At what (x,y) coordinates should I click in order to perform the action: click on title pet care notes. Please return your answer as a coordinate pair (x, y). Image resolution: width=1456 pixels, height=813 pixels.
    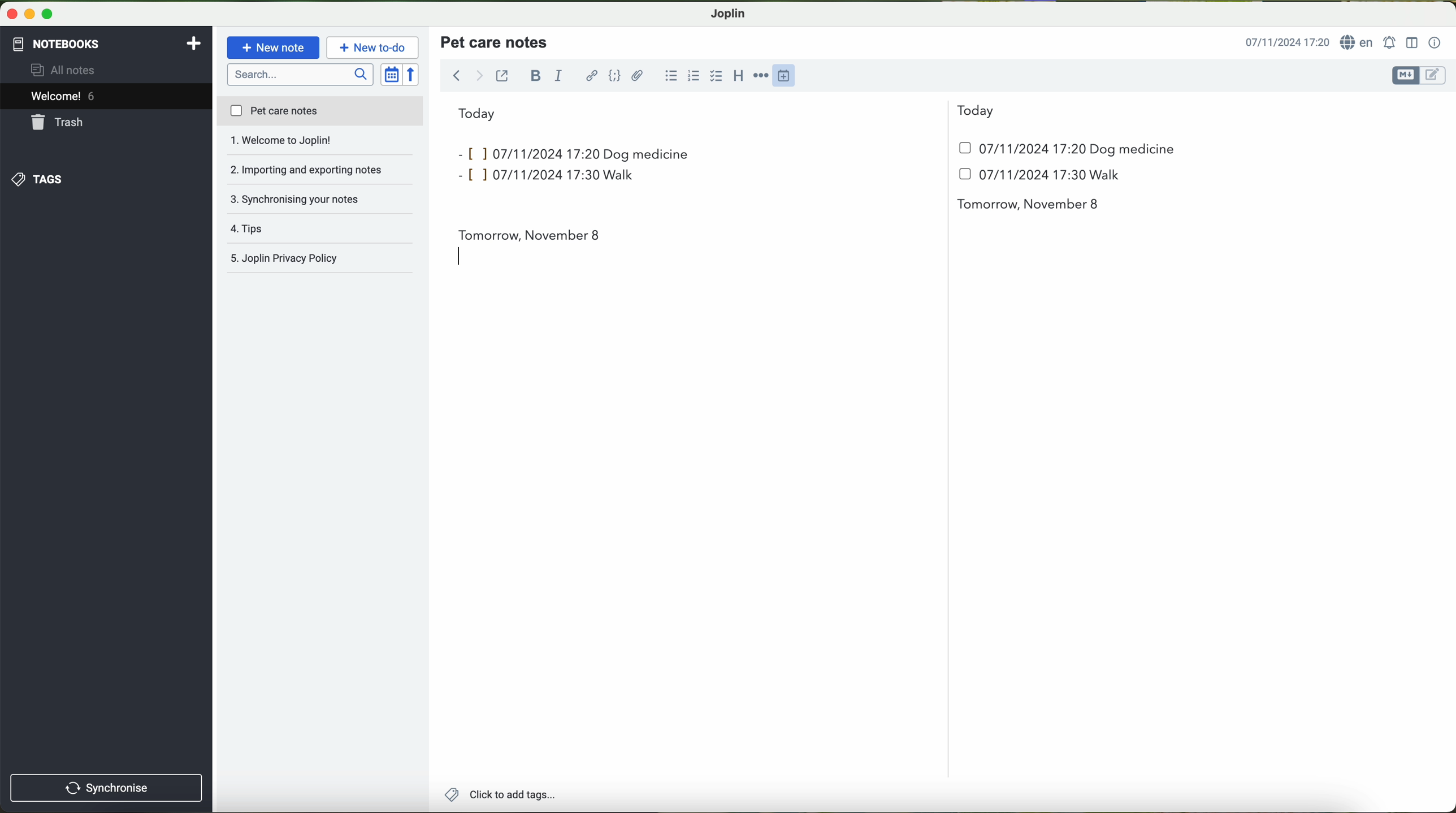
    Looking at the image, I should click on (496, 41).